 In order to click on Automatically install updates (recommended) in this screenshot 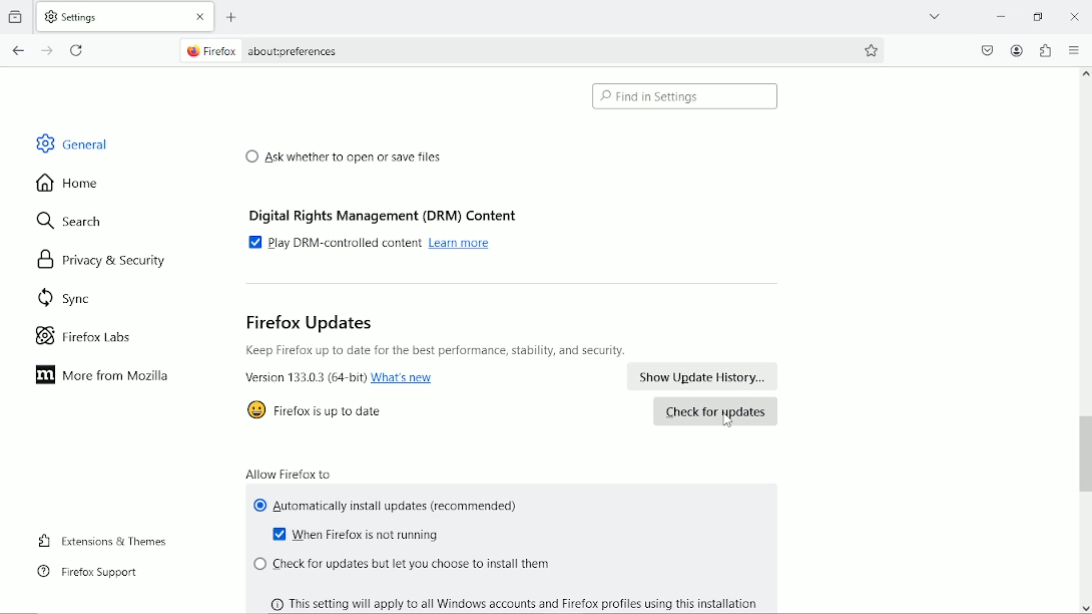, I will do `click(388, 507)`.